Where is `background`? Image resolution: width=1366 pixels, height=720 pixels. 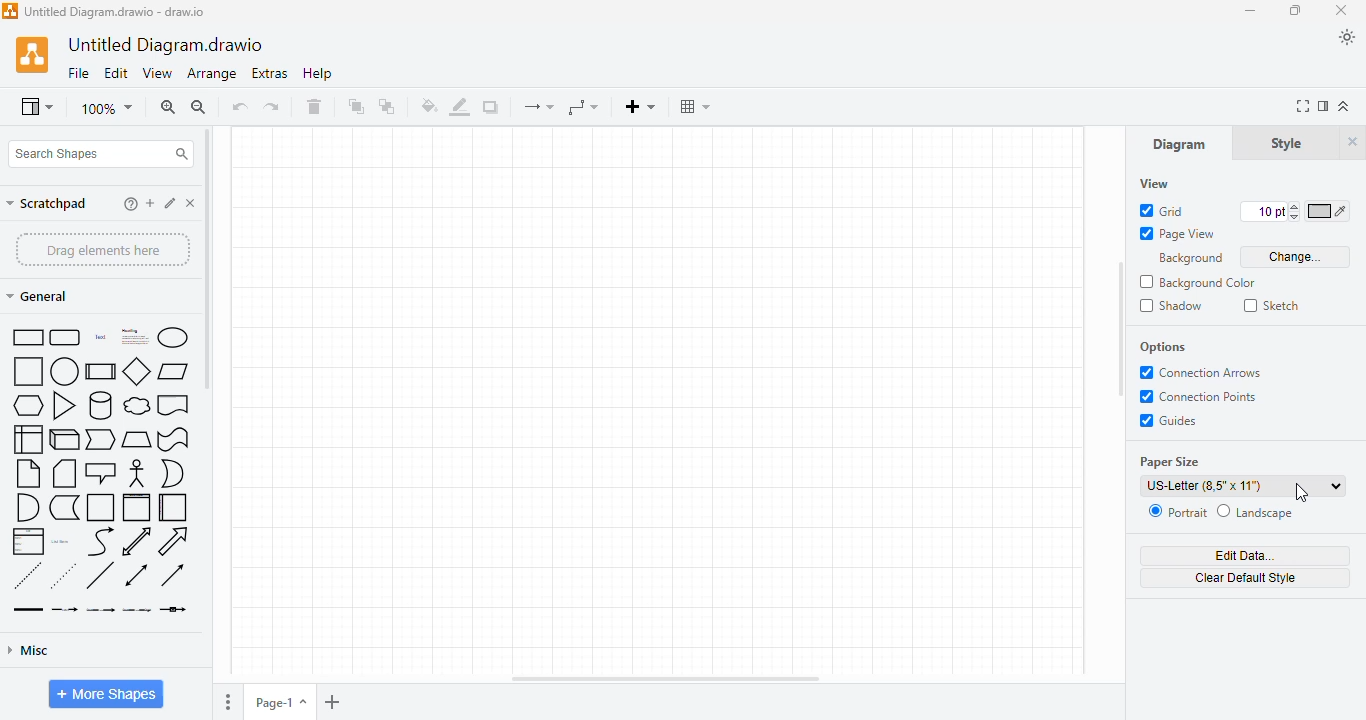
background is located at coordinates (1191, 259).